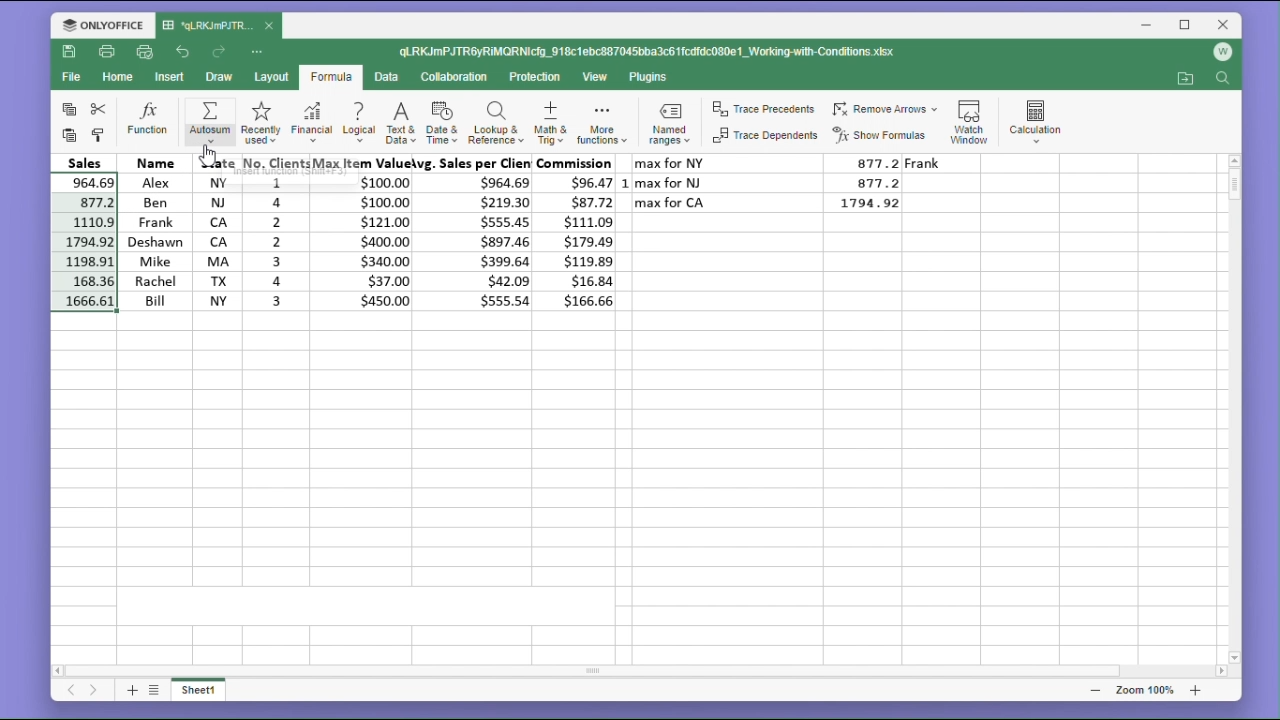 This screenshot has width=1280, height=720. Describe the element at coordinates (172, 77) in the screenshot. I see `insert` at that location.